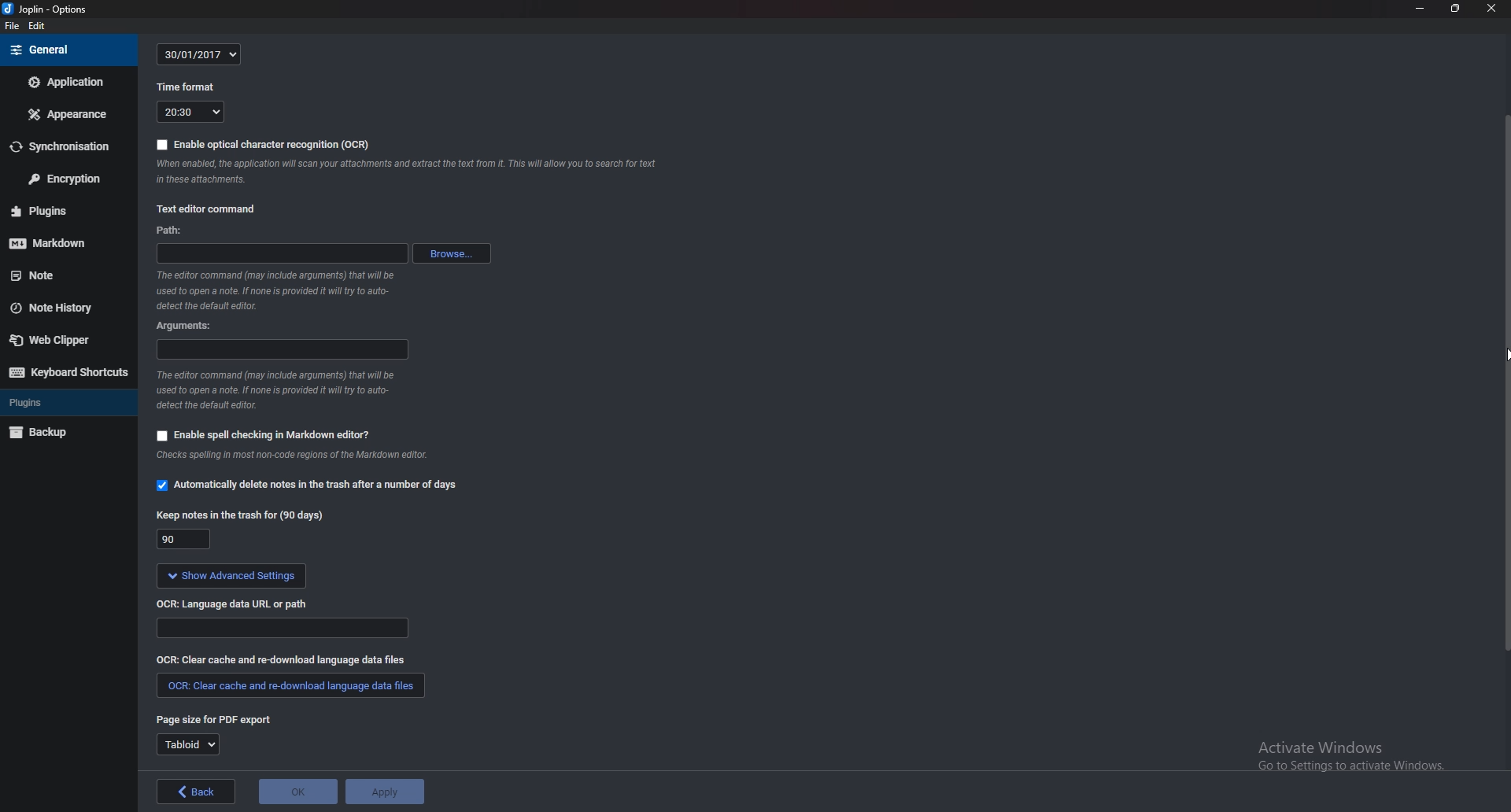  Describe the element at coordinates (68, 83) in the screenshot. I see `Application` at that location.